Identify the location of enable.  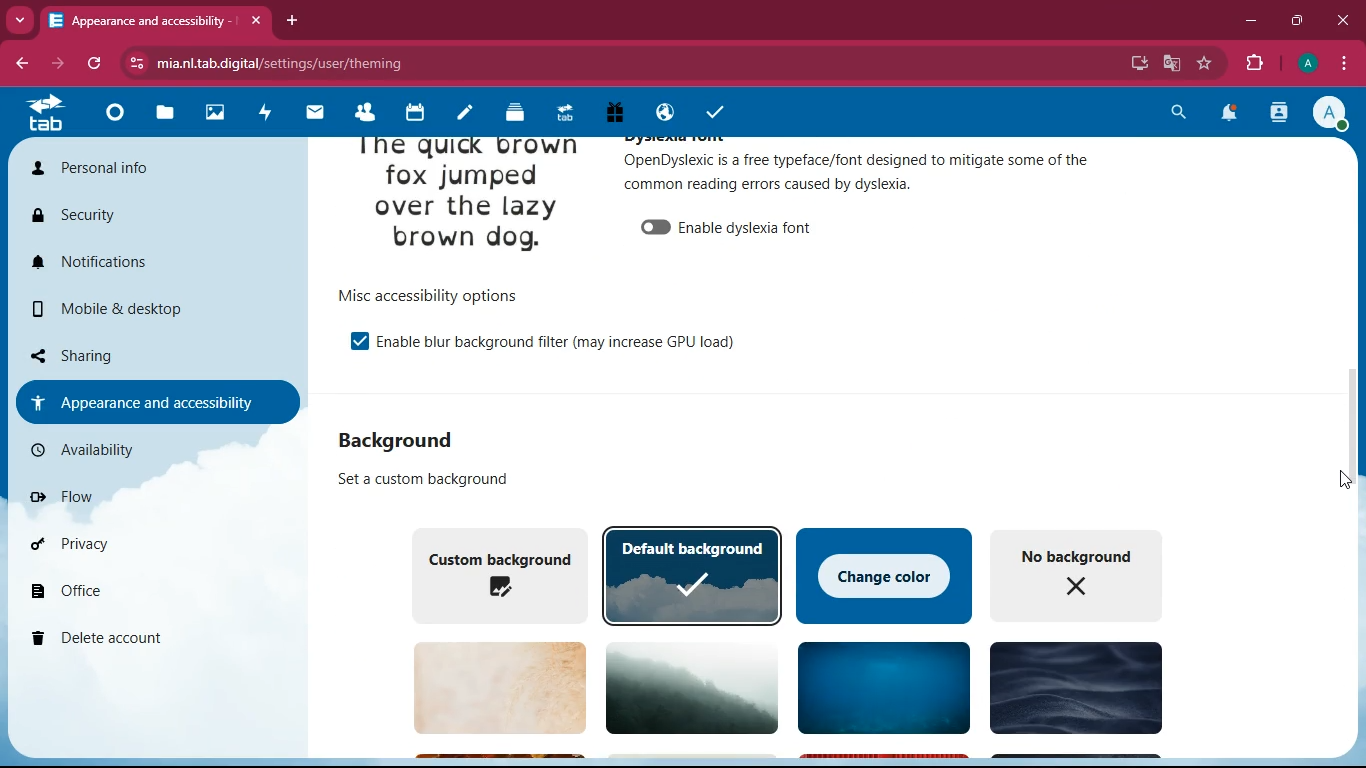
(350, 340).